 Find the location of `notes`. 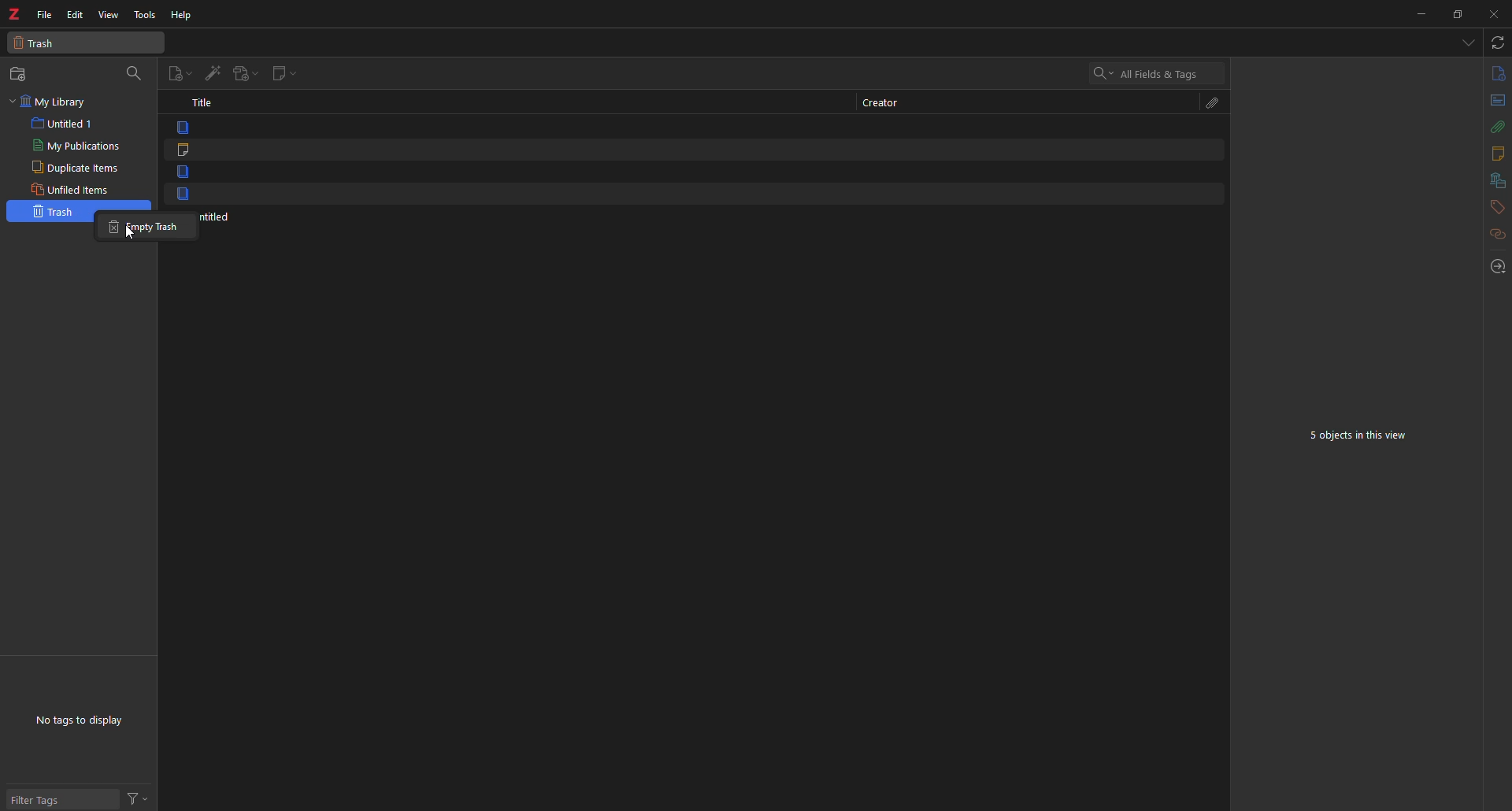

notes is located at coordinates (1495, 154).